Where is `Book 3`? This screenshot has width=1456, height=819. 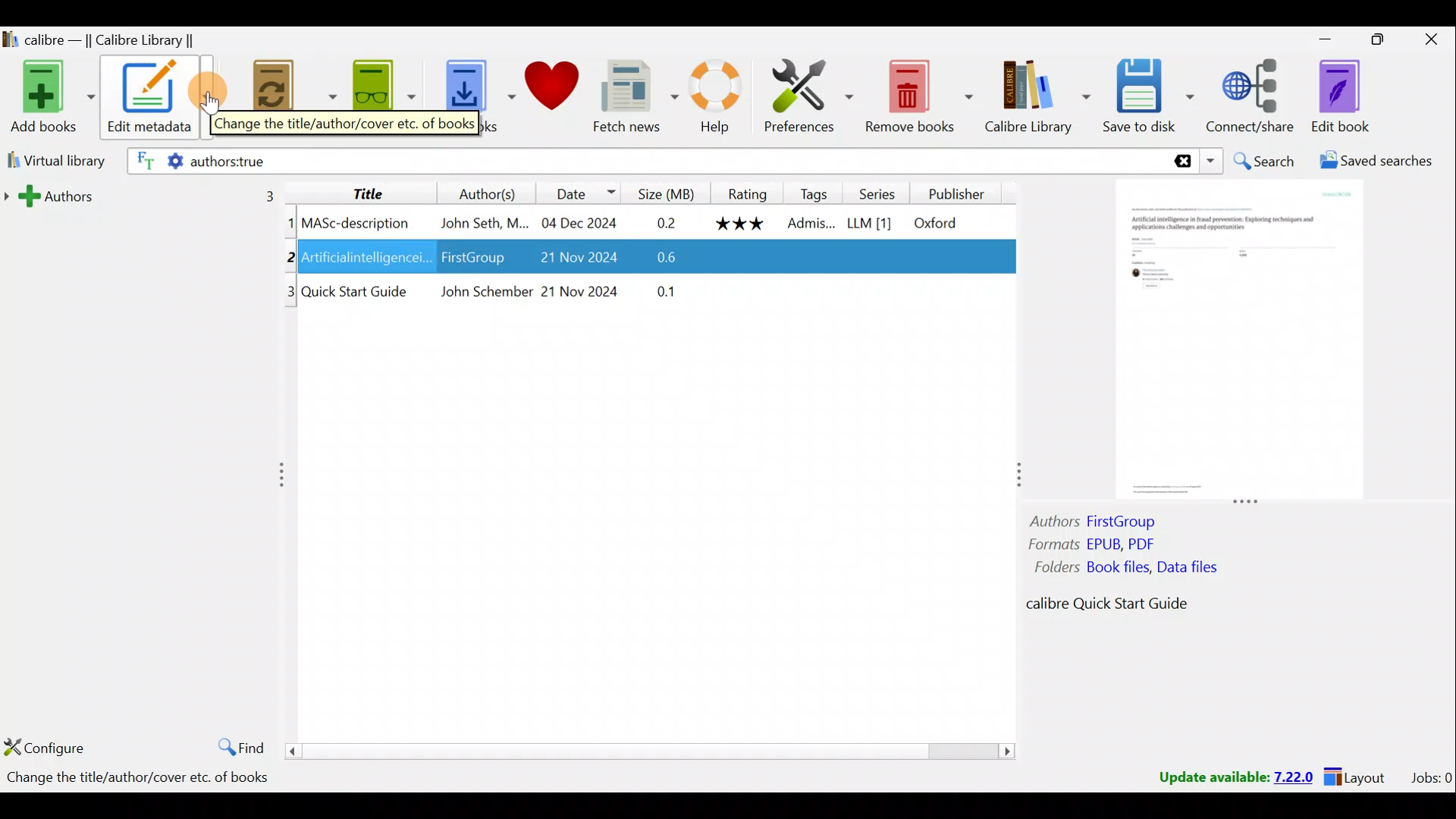 Book 3 is located at coordinates (653, 293).